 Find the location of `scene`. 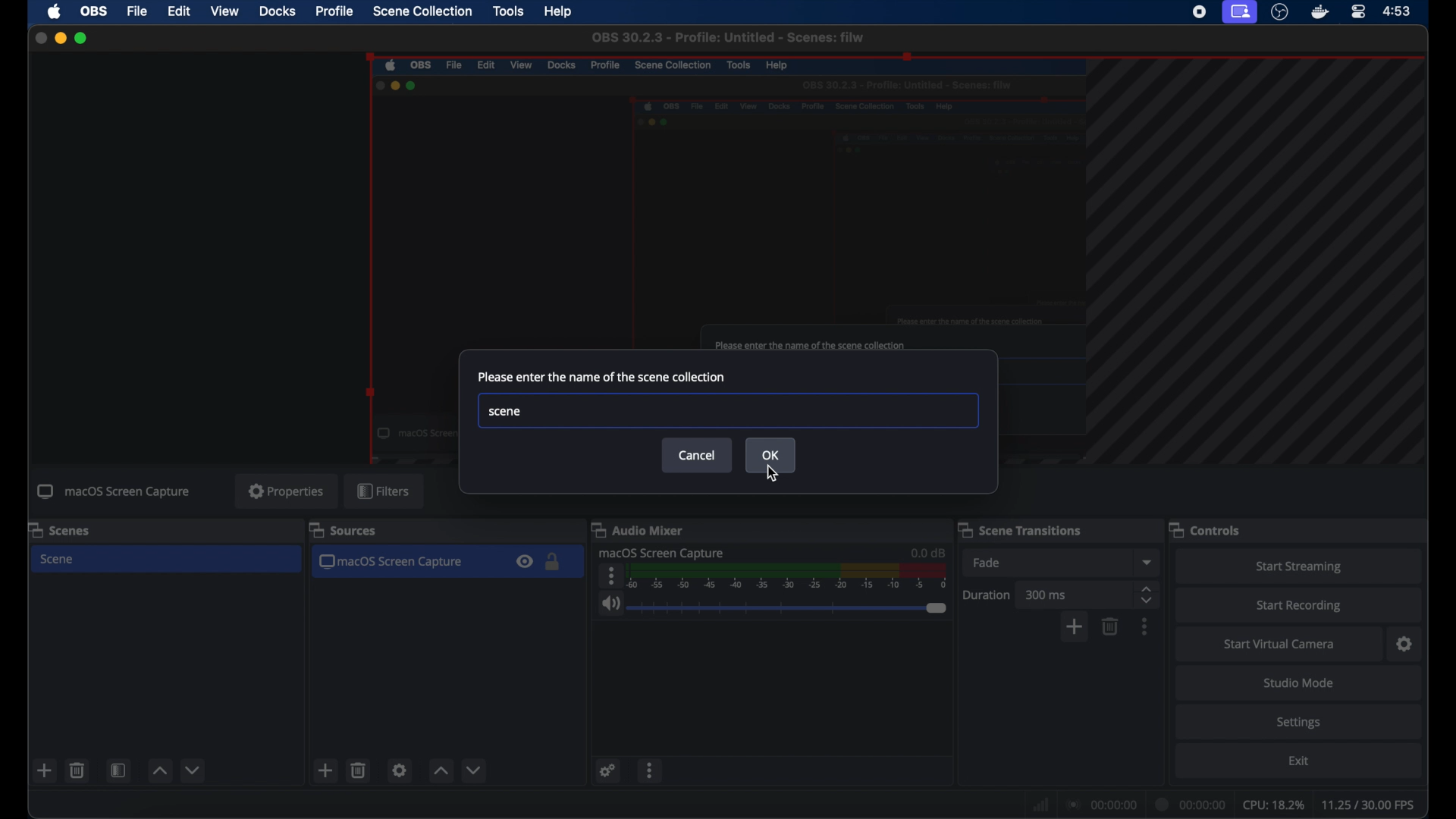

scene is located at coordinates (726, 411).